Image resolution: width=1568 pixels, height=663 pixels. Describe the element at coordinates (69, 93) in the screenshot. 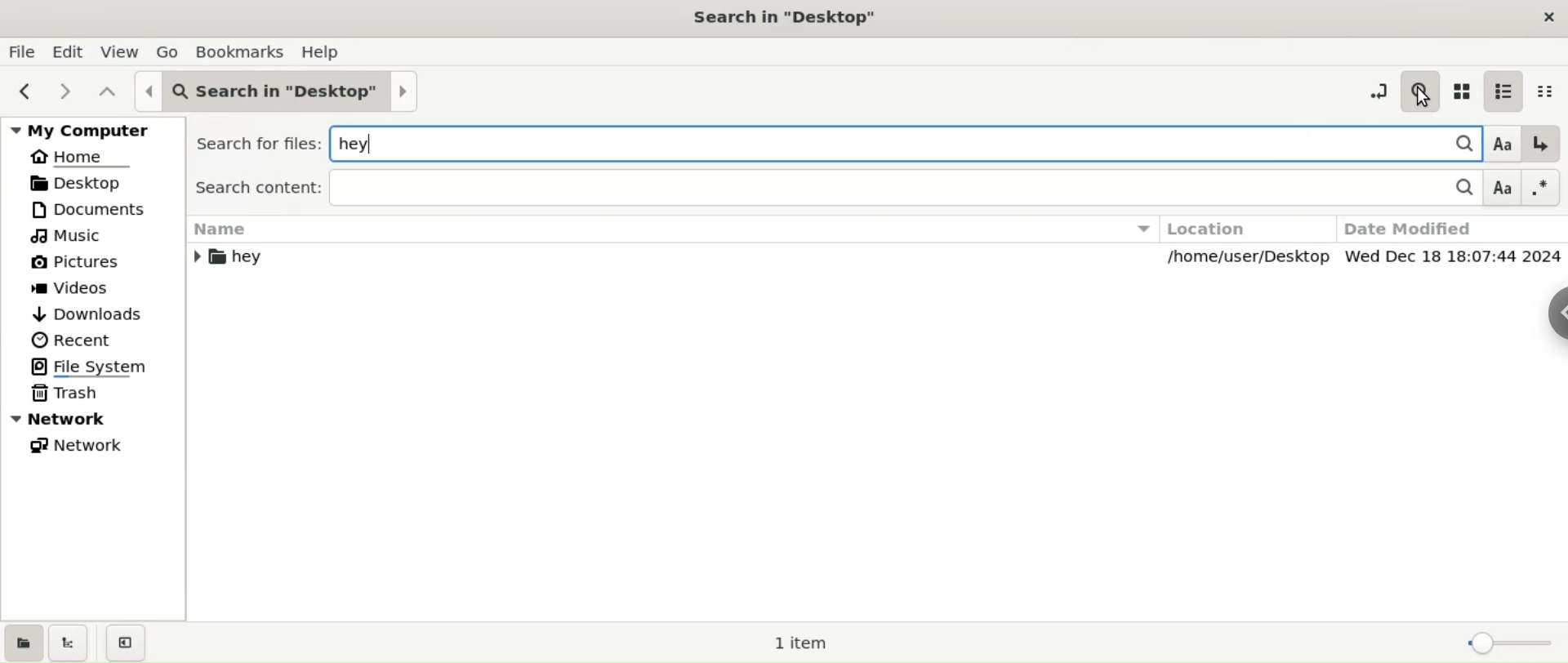

I see `next` at that location.